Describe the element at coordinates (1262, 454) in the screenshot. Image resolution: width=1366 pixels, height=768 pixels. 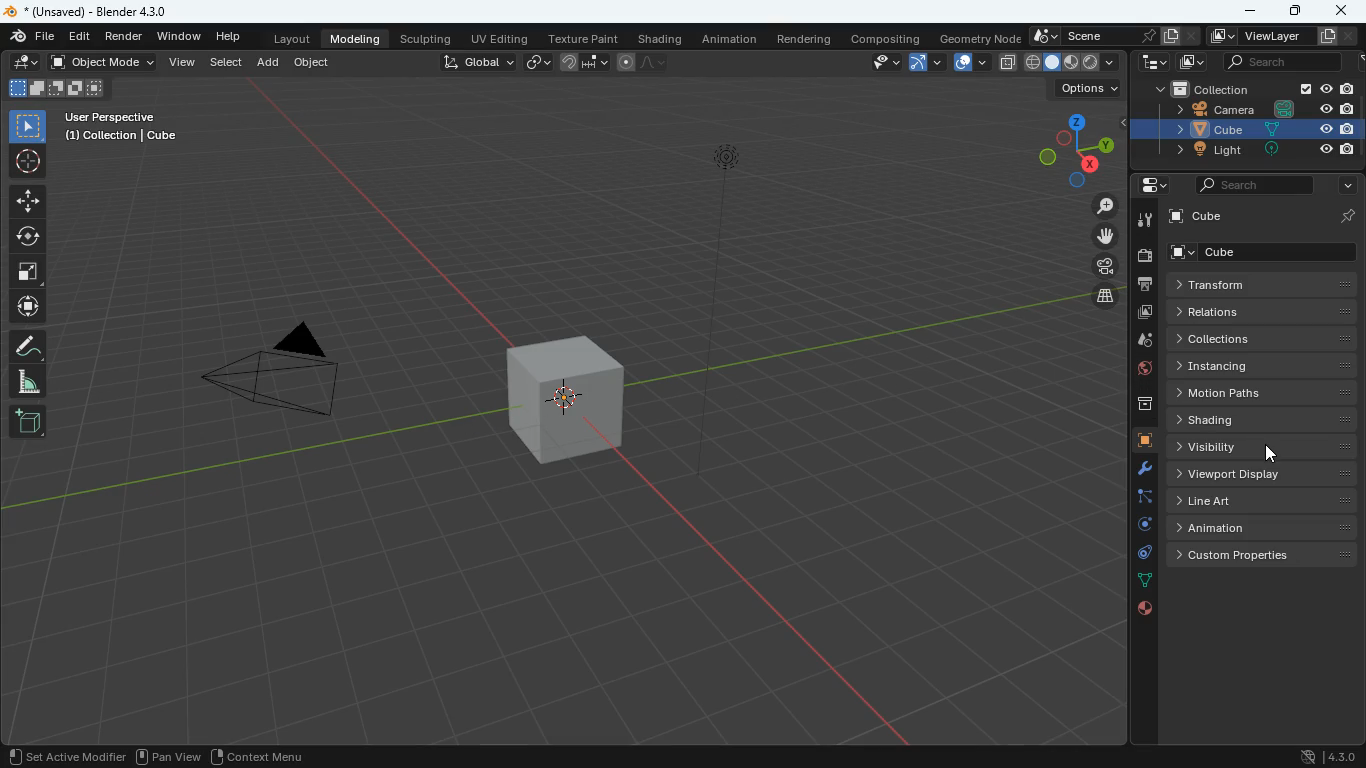
I see `cursor` at that location.